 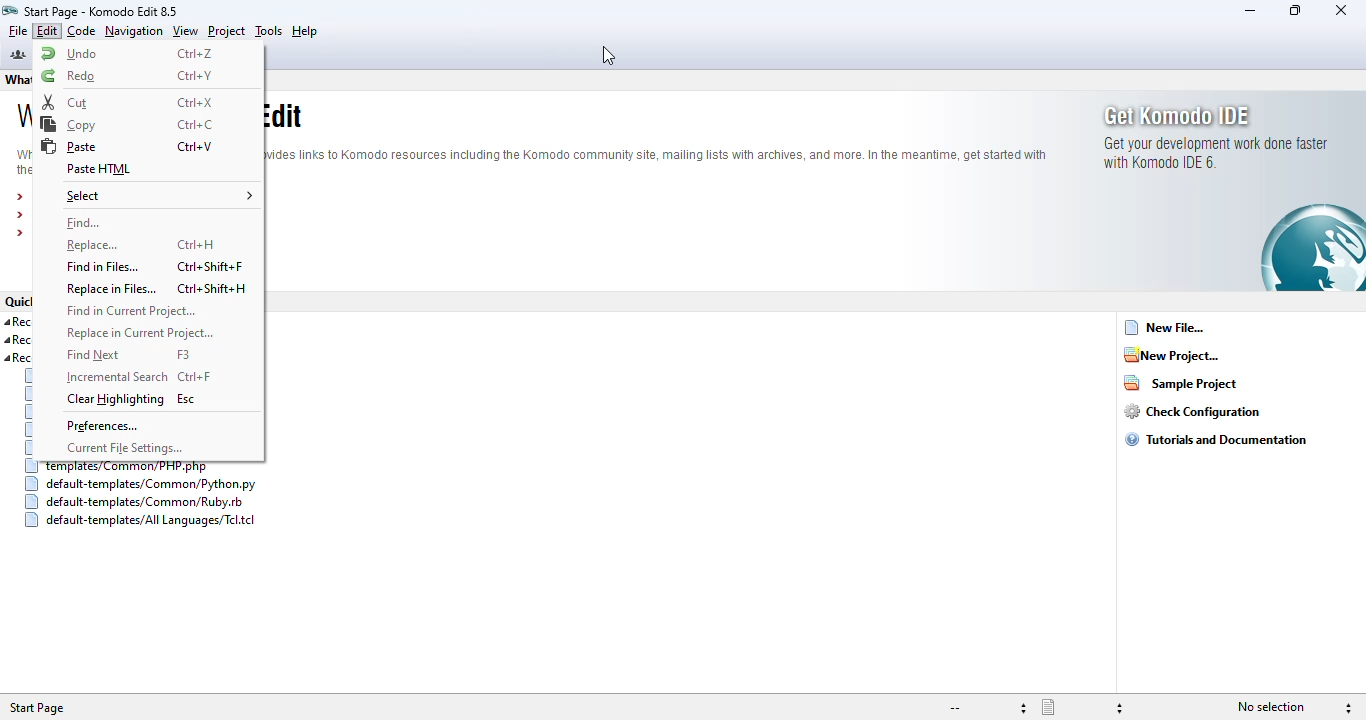 I want to click on file, so click(x=17, y=30).